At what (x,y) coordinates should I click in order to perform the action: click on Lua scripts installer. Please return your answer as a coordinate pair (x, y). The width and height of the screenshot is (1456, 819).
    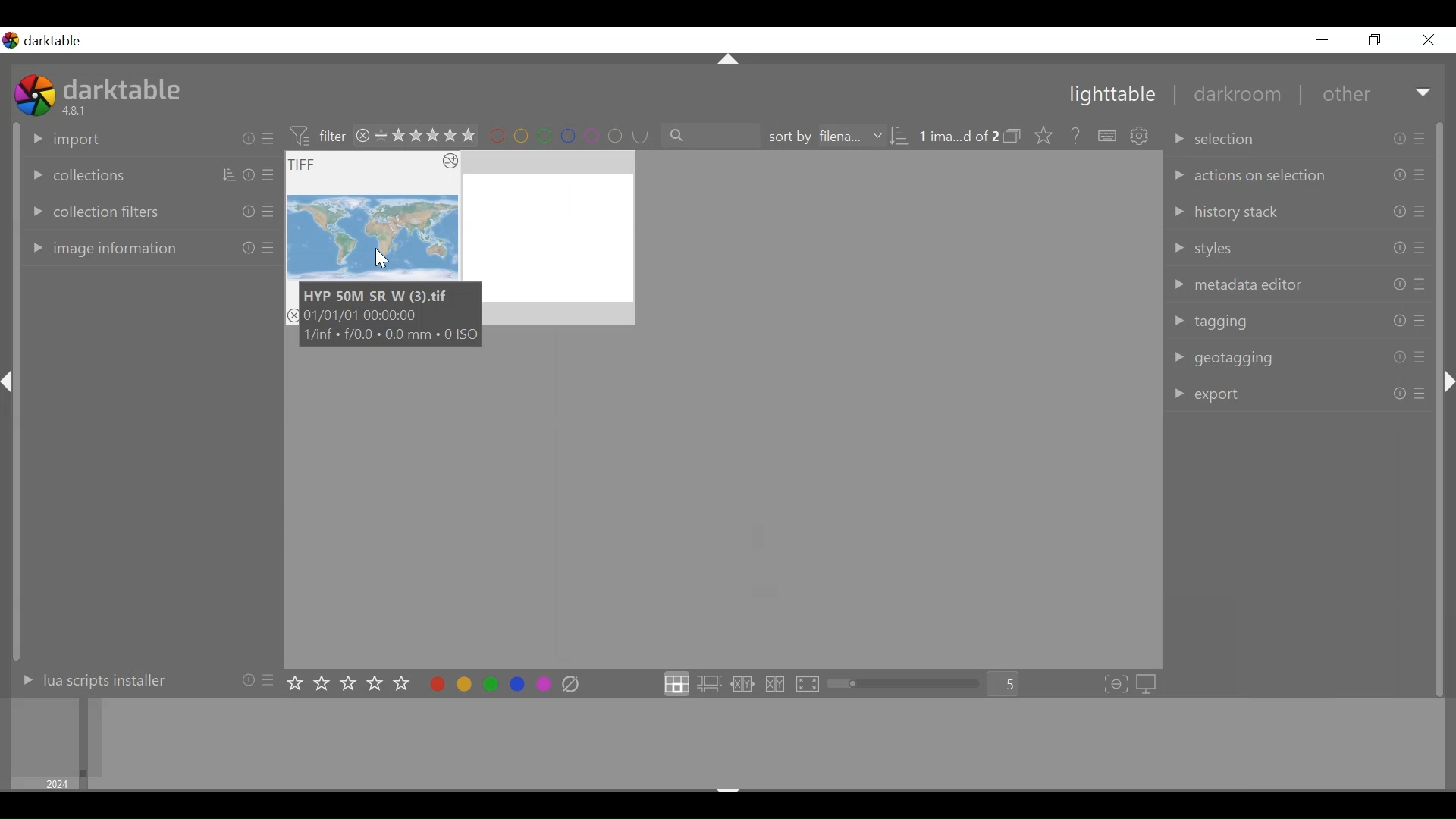
    Looking at the image, I should click on (143, 683).